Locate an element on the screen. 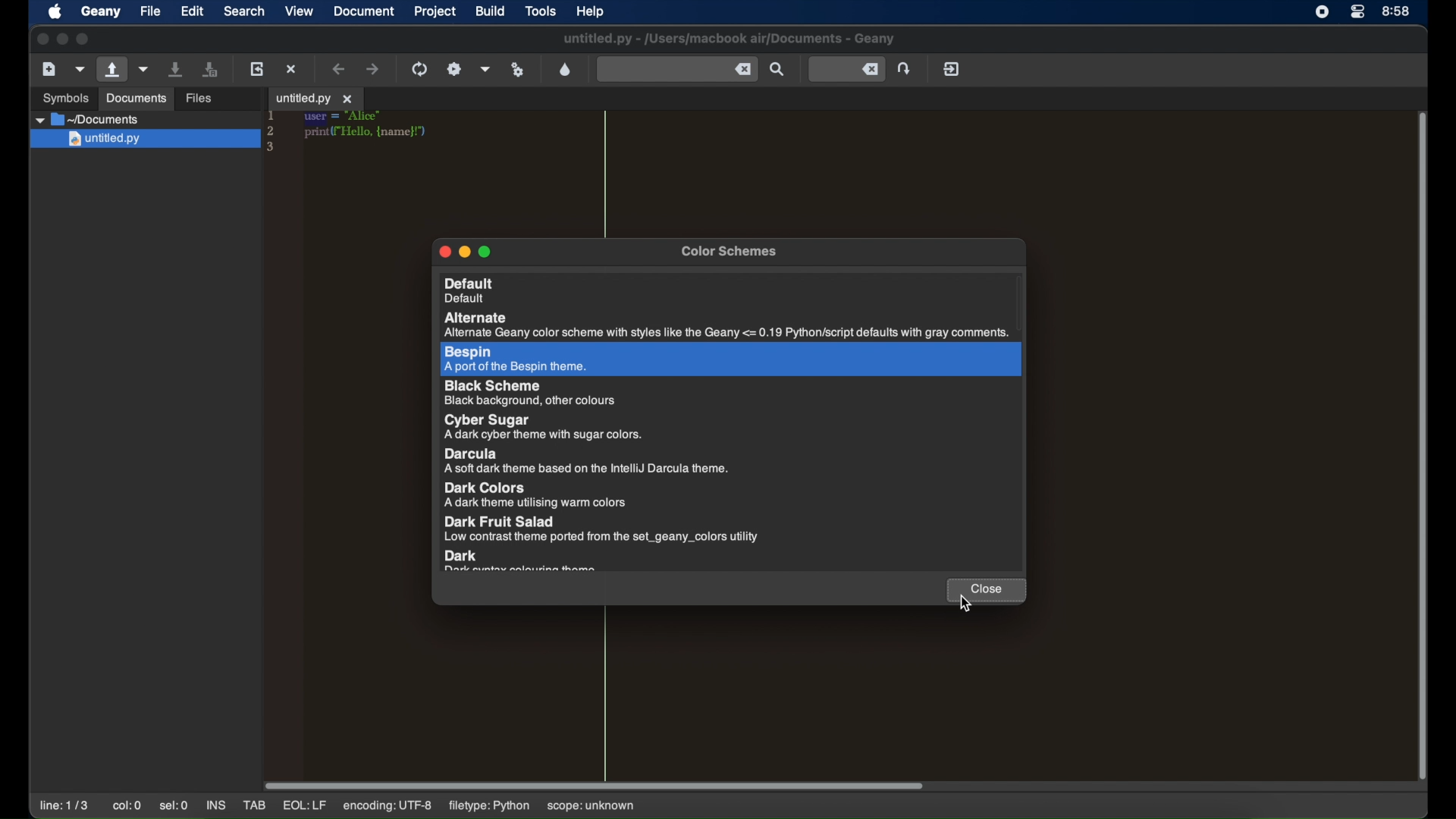  help is located at coordinates (593, 11).